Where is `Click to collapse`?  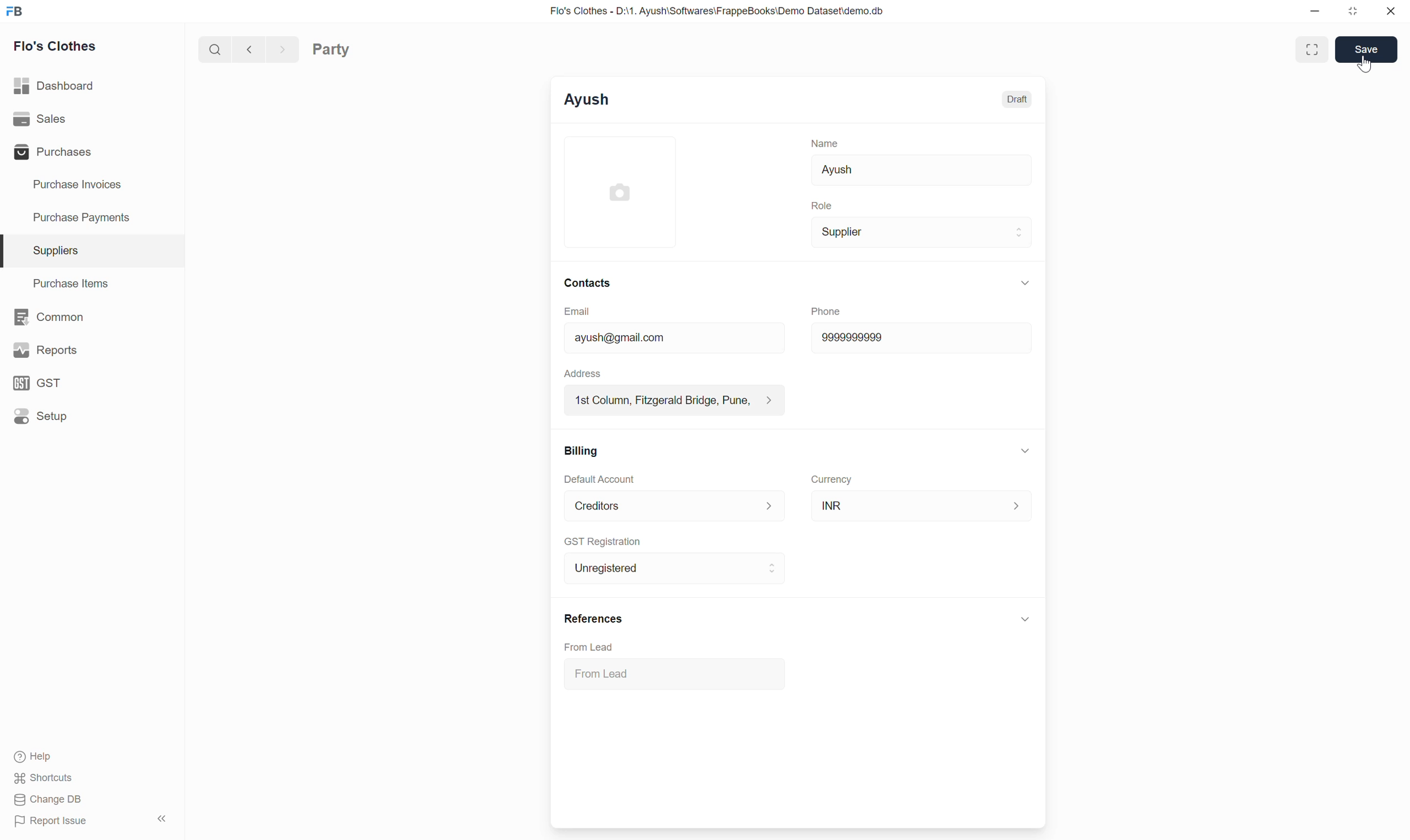
Click to collapse is located at coordinates (1026, 619).